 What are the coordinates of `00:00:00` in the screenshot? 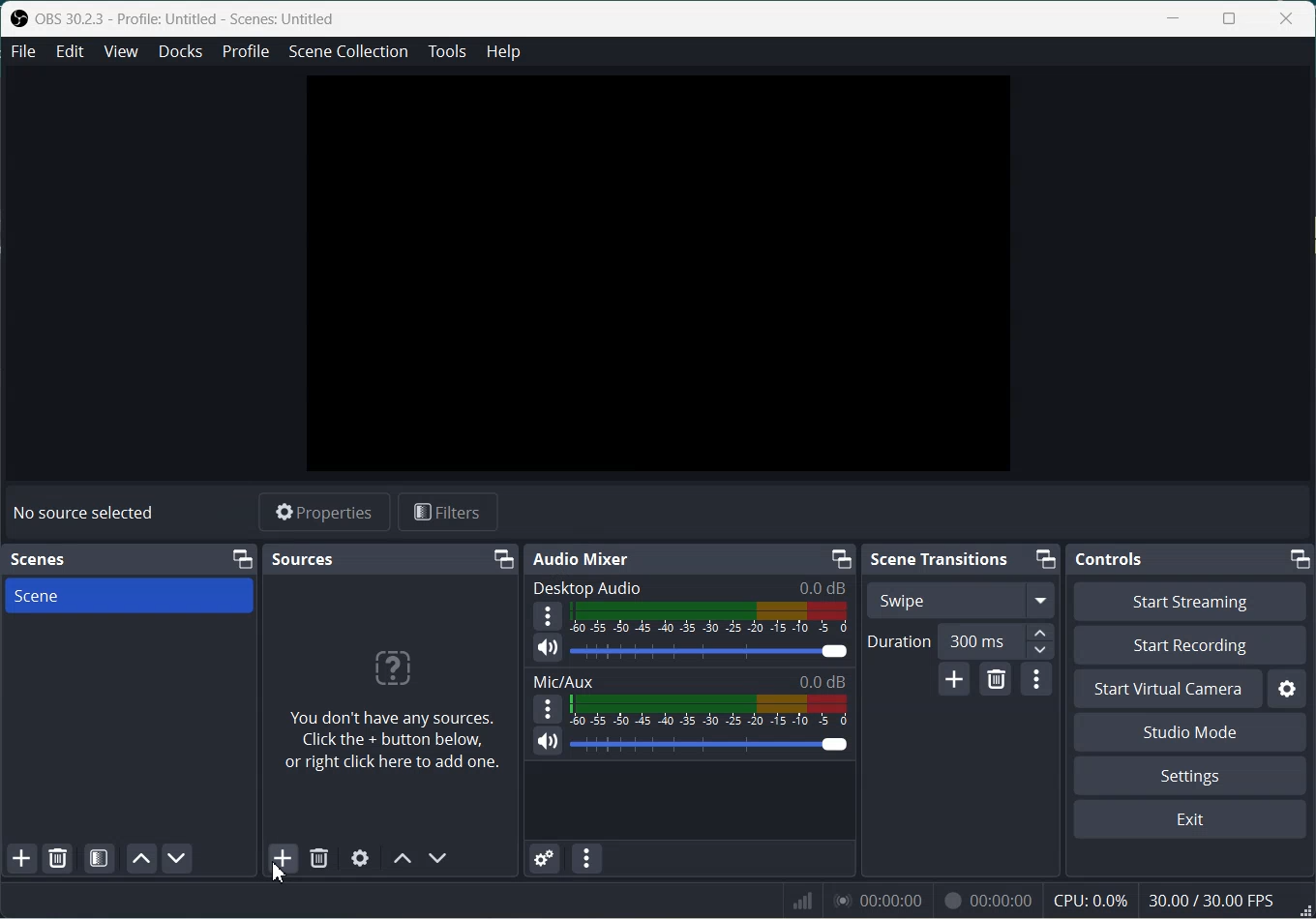 It's located at (985, 899).